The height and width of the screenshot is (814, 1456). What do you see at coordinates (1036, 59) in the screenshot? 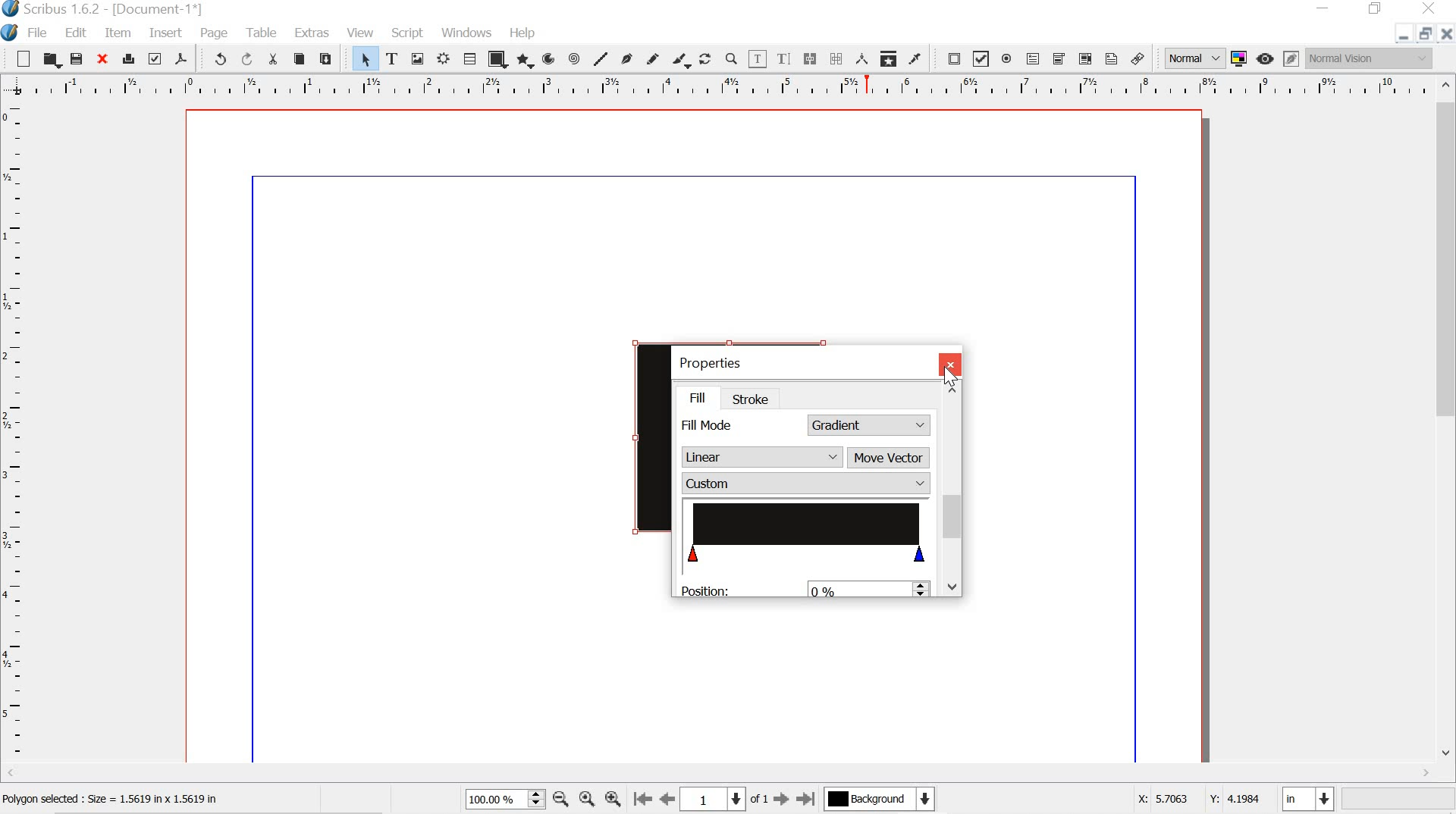
I see `pdf text field` at bounding box center [1036, 59].